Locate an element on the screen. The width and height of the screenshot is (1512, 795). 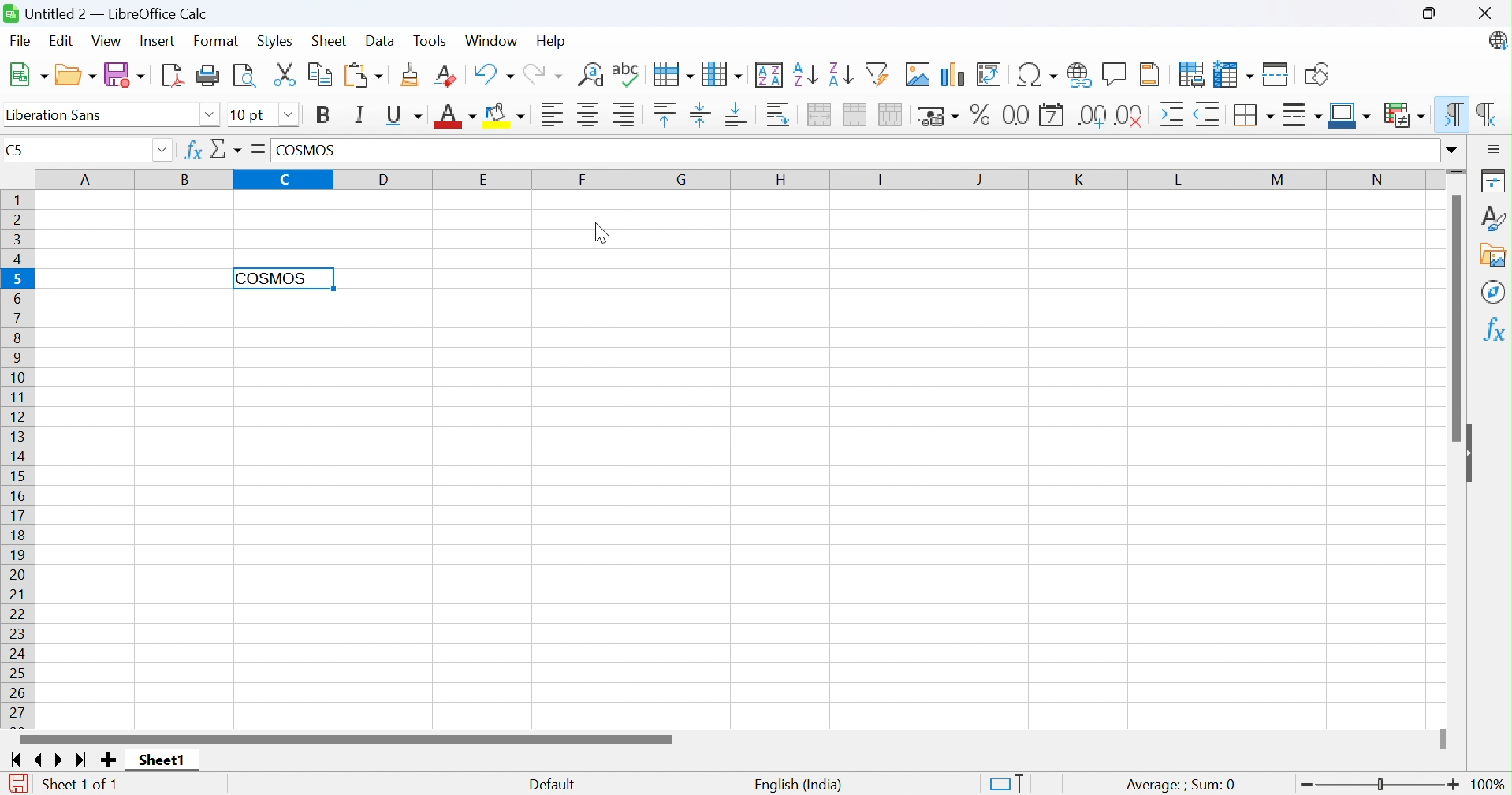
Insert or edit pivot table is located at coordinates (989, 74).